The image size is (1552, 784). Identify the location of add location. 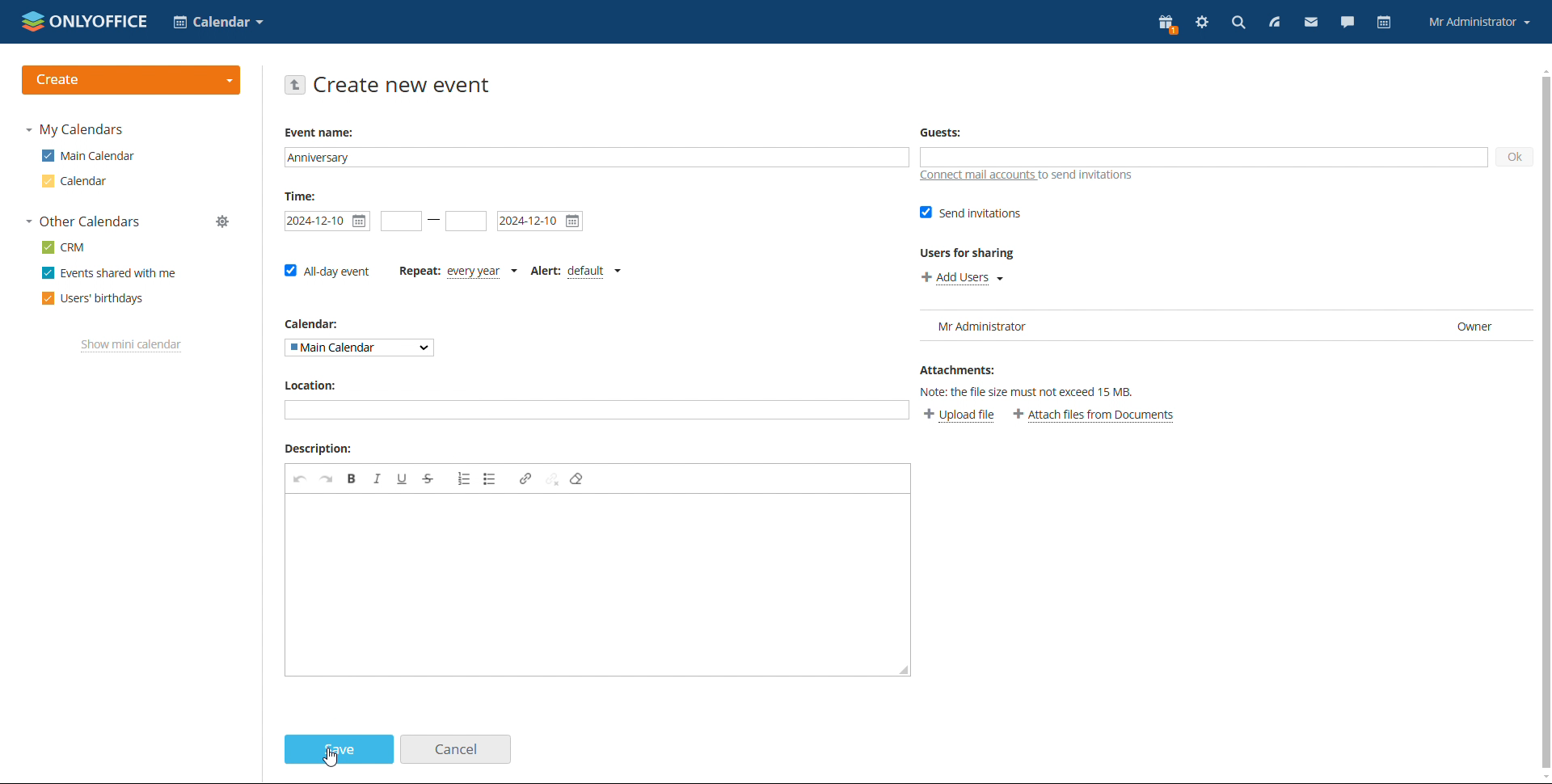
(586, 411).